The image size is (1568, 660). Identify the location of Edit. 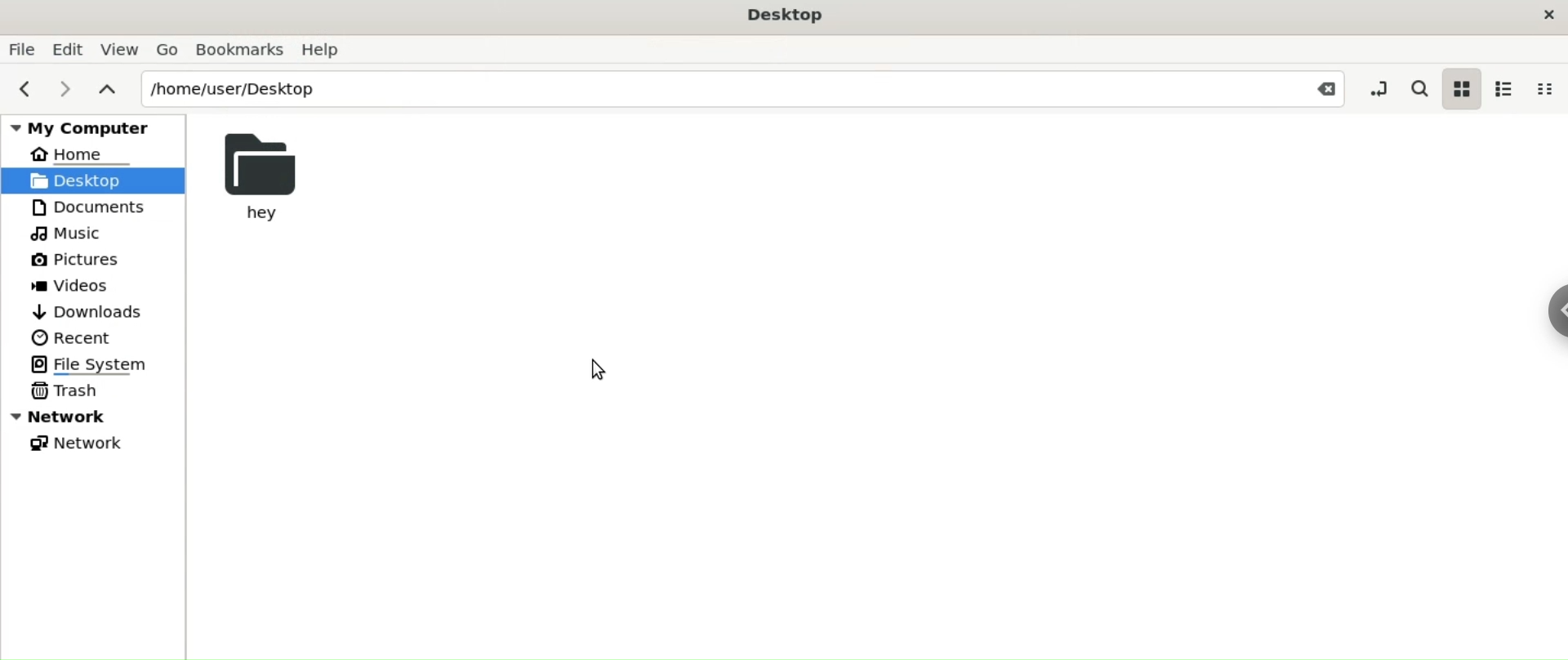
(70, 48).